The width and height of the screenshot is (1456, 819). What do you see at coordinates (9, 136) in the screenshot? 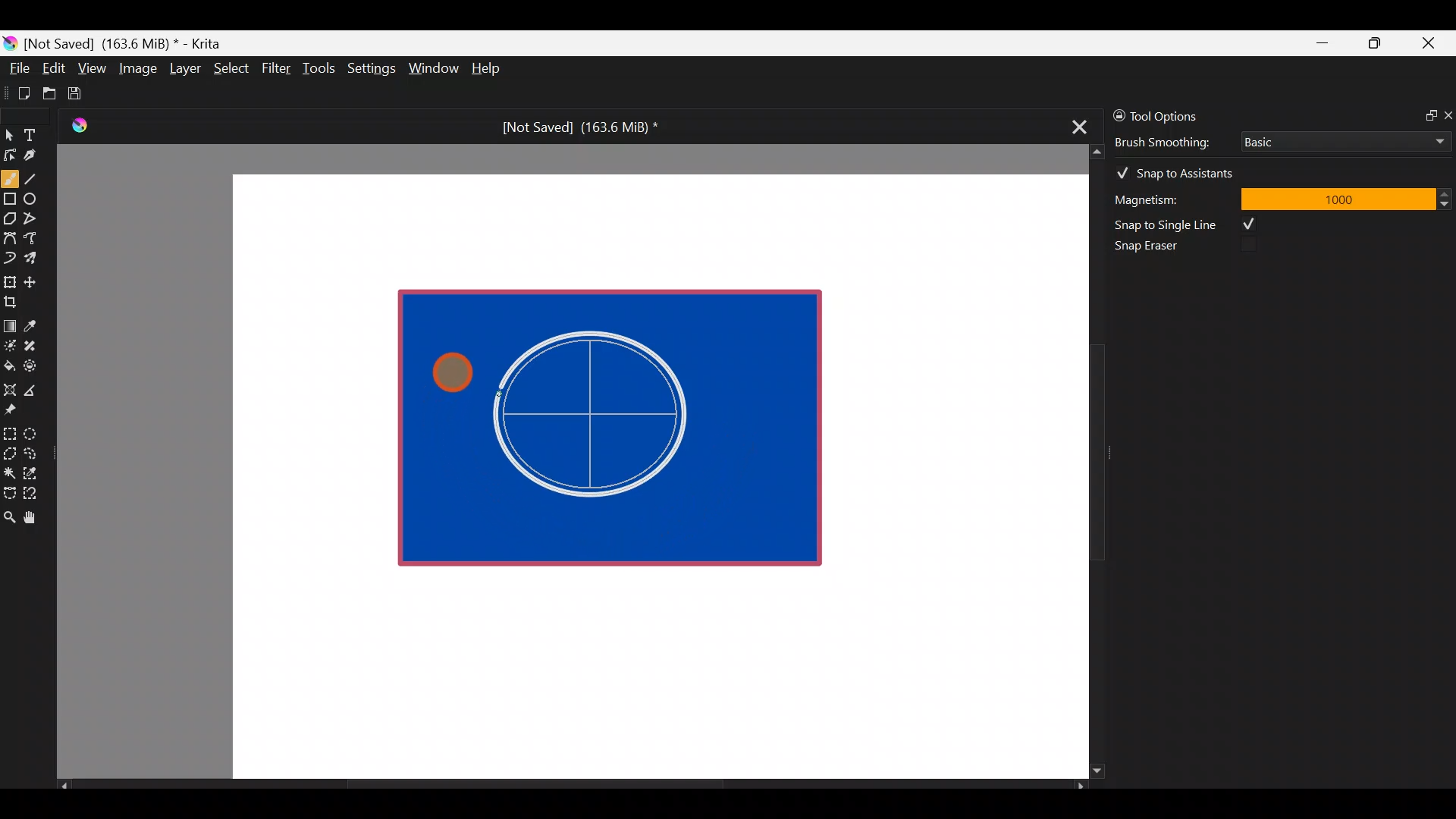
I see `Select shapes tool` at bounding box center [9, 136].